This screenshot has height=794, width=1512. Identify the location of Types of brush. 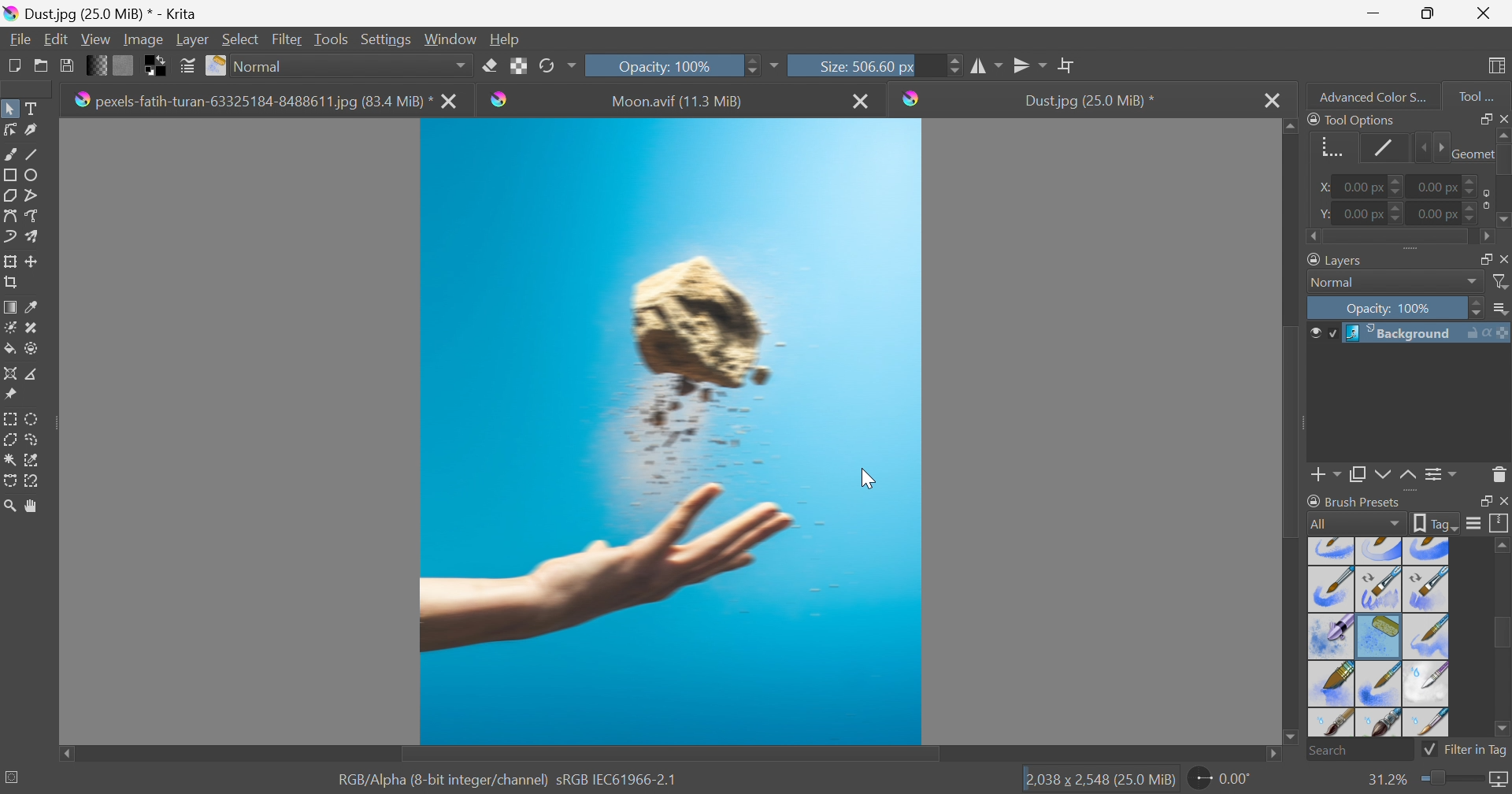
(1376, 636).